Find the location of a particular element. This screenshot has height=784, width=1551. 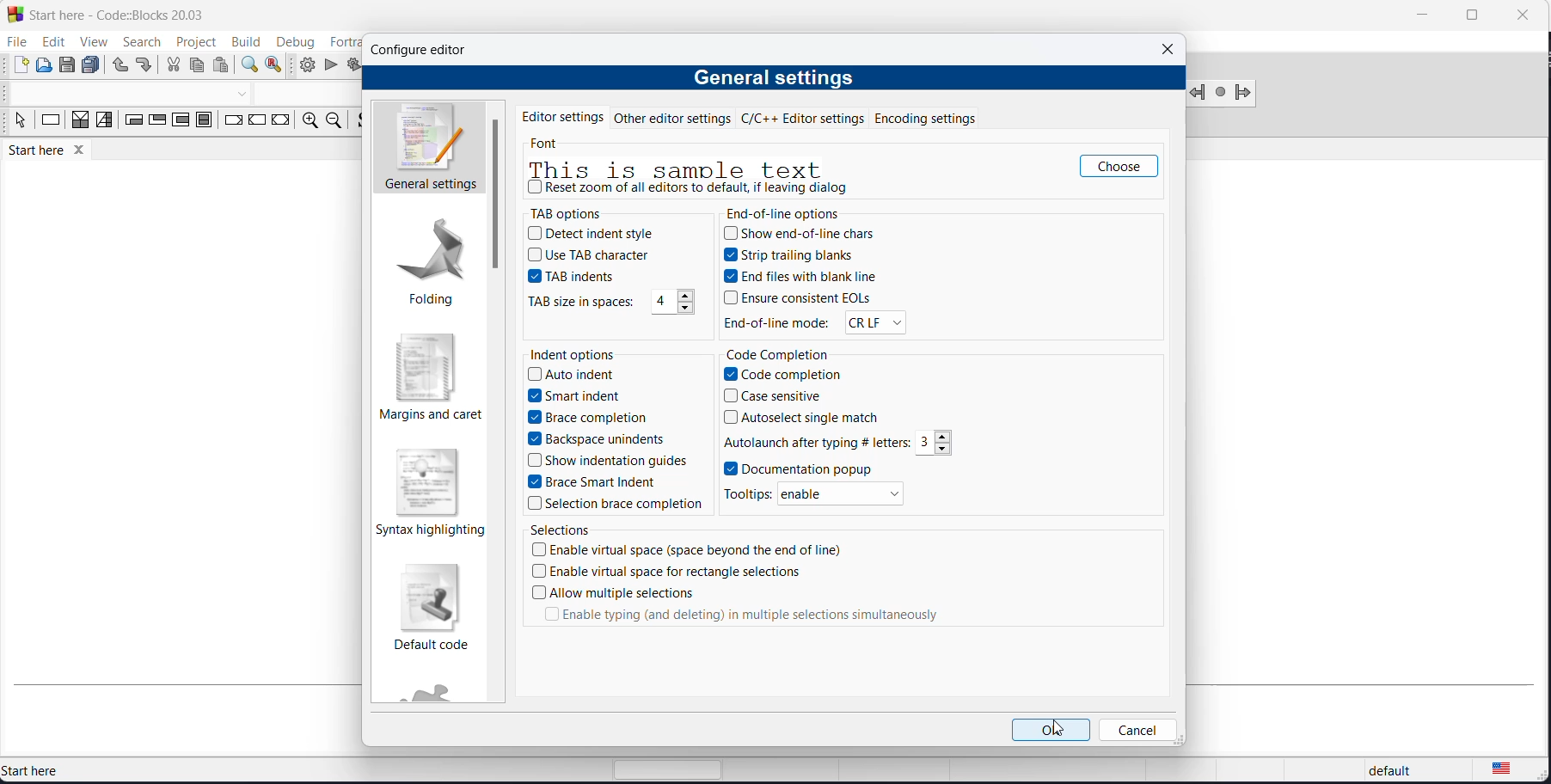

c and cpp editor settings is located at coordinates (808, 118).